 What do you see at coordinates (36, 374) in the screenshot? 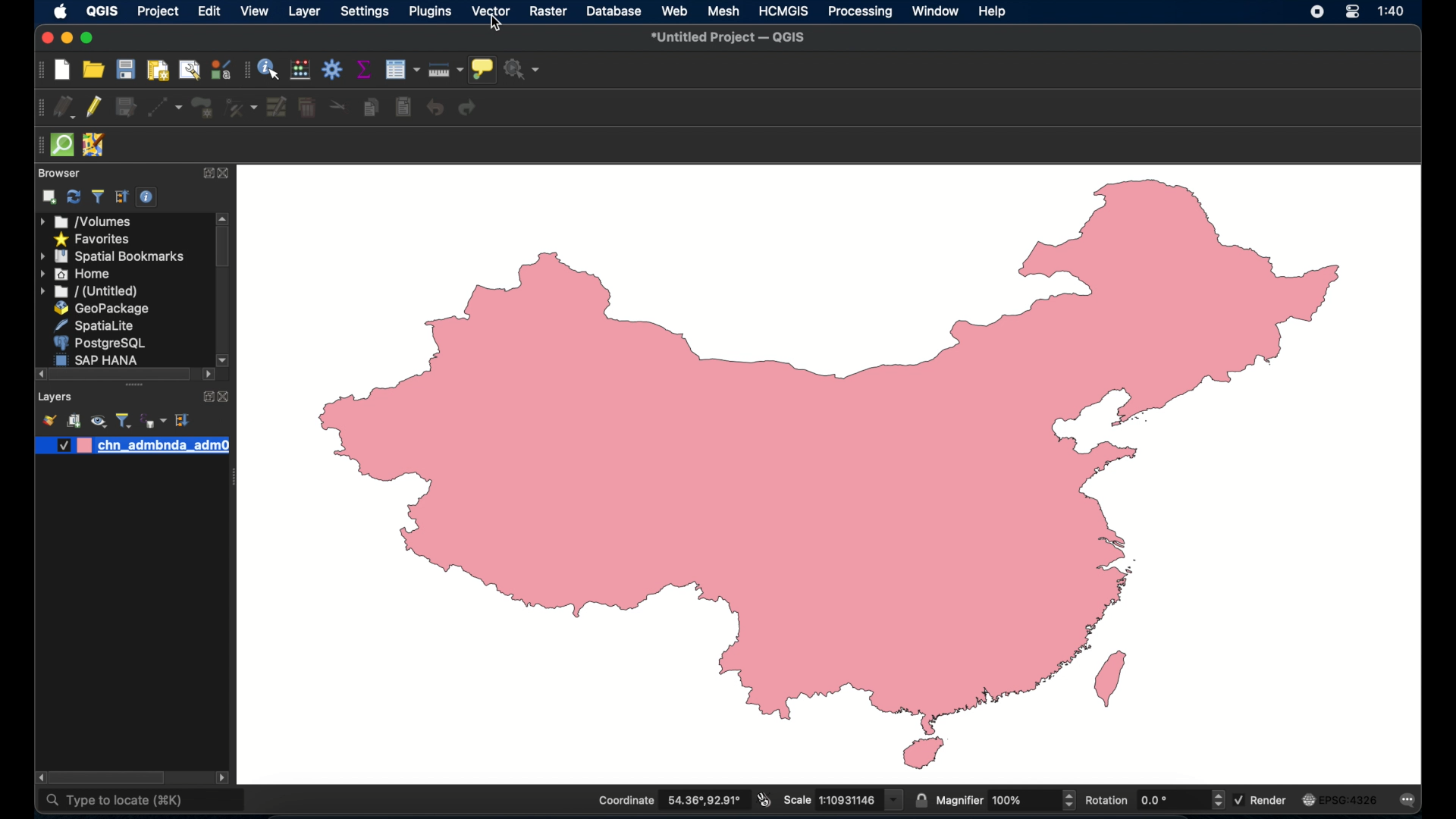
I see `scroll left arrow` at bounding box center [36, 374].